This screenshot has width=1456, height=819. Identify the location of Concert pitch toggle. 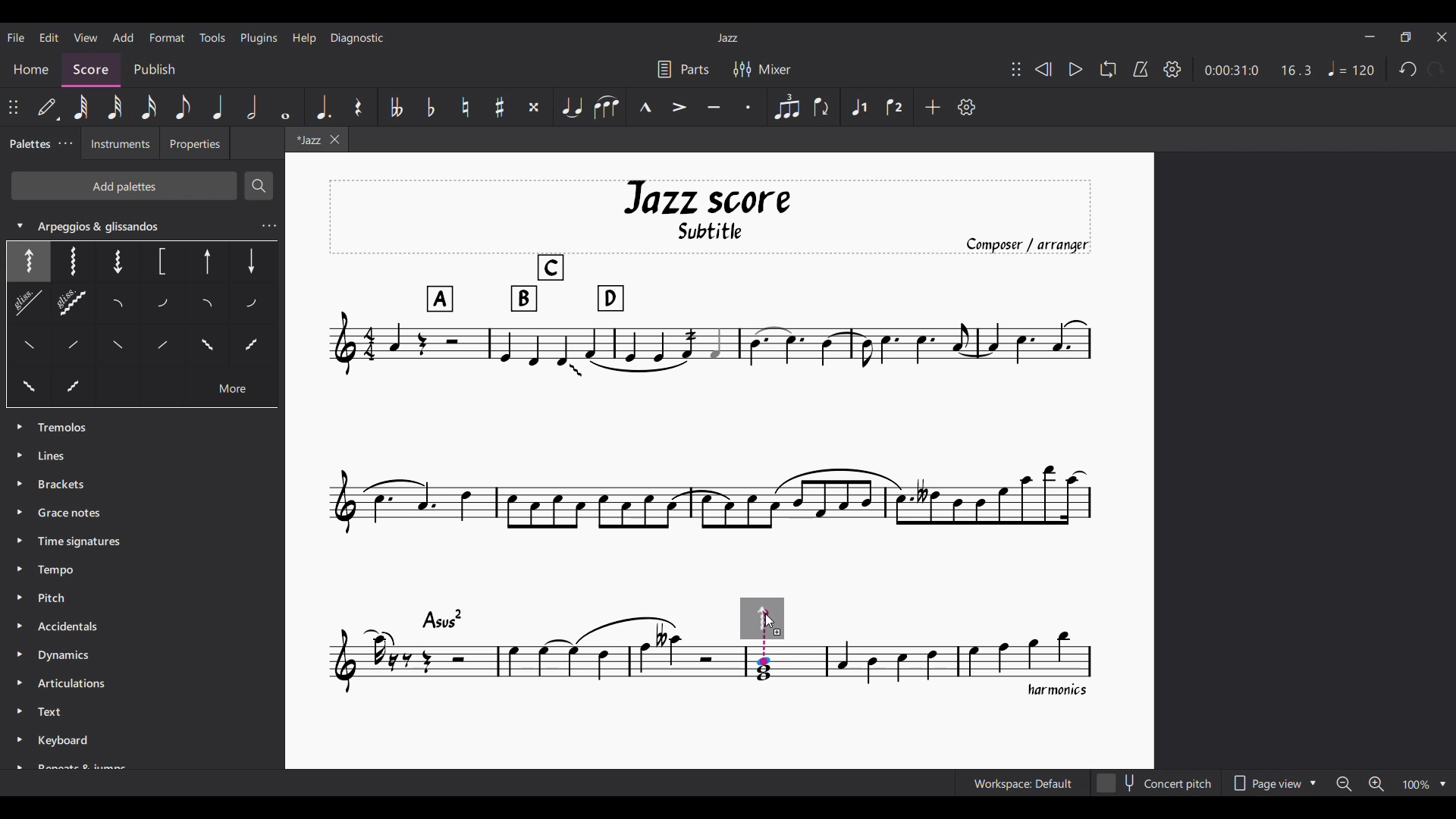
(1156, 783).